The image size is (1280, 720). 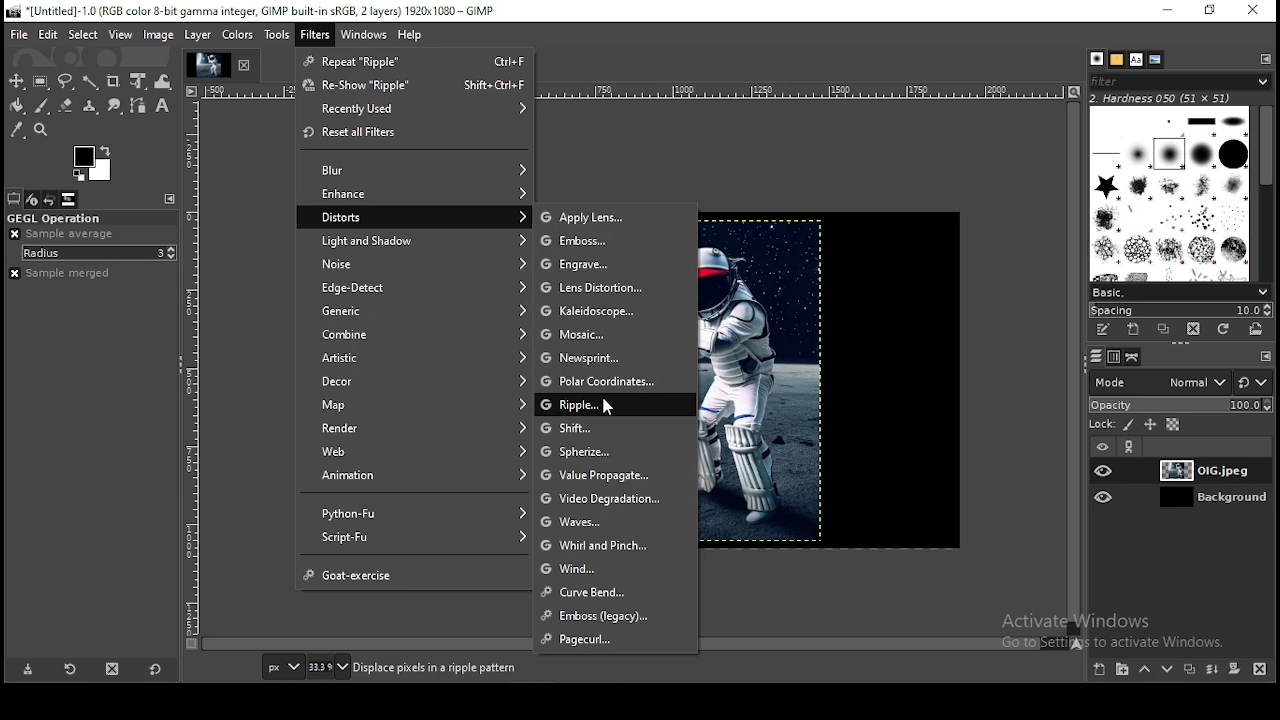 I want to click on spherize, so click(x=591, y=449).